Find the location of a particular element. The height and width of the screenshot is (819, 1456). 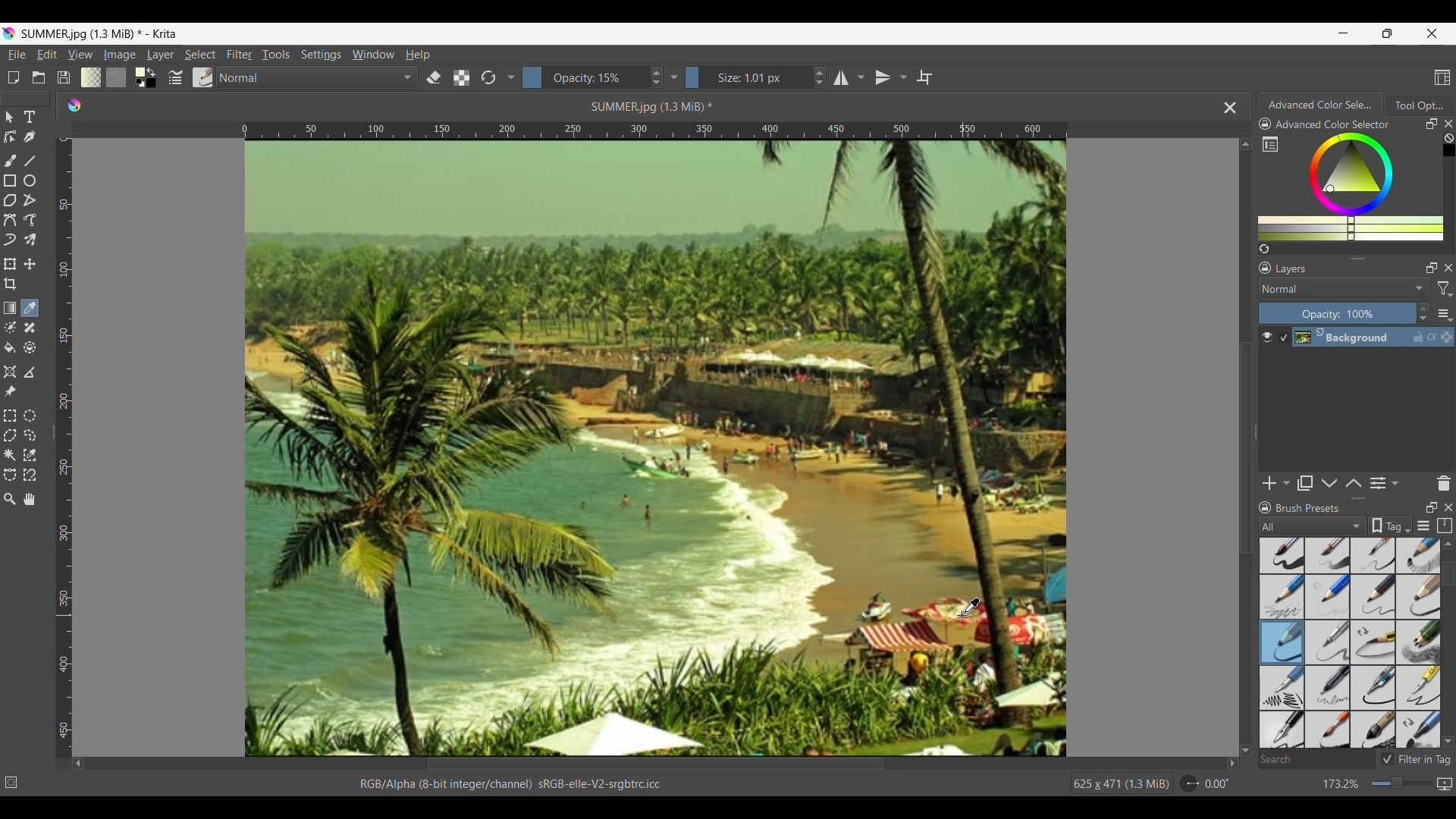

Add is located at coordinates (1269, 483).